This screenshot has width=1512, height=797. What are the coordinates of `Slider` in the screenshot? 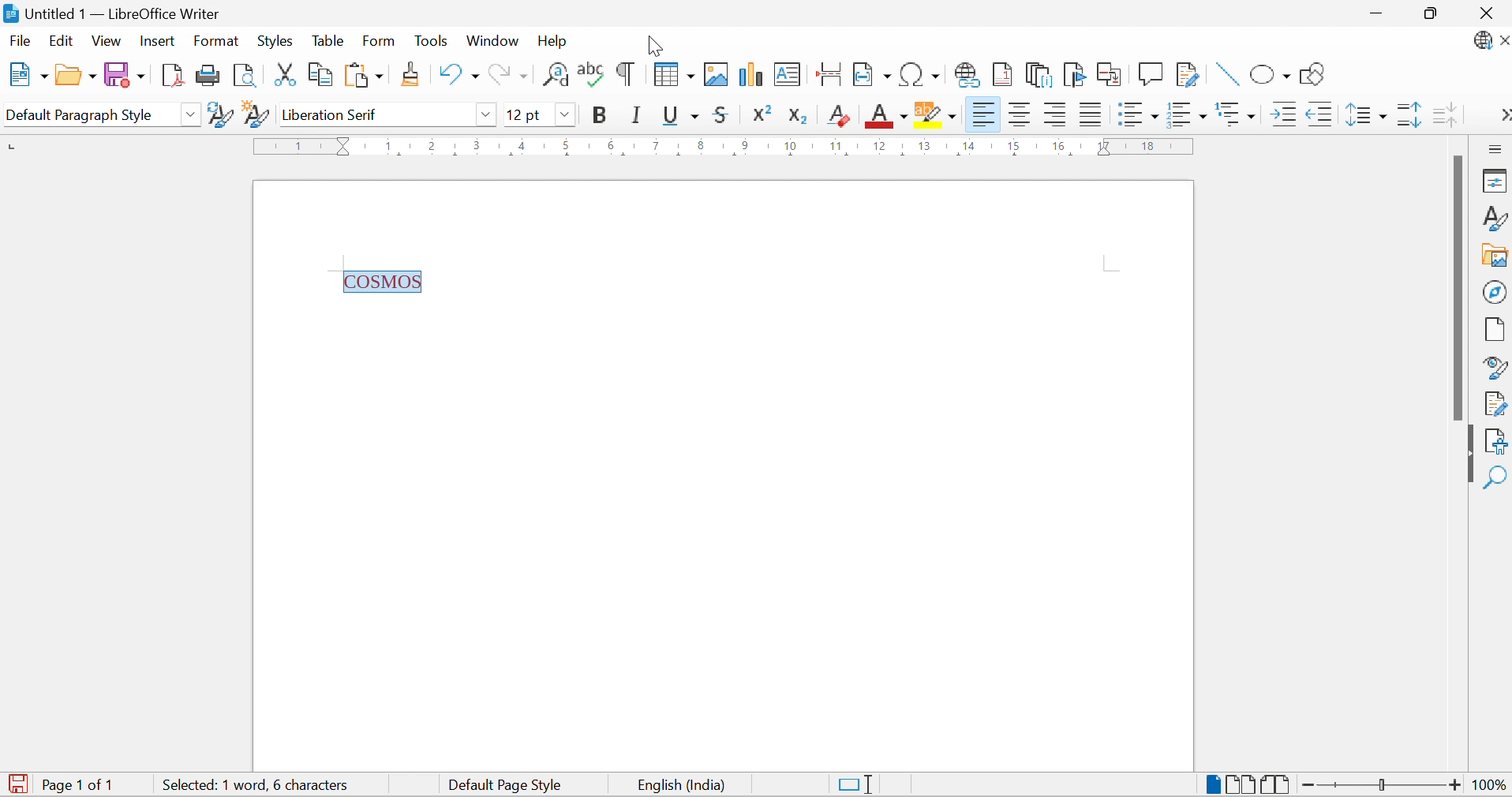 It's located at (1379, 782).